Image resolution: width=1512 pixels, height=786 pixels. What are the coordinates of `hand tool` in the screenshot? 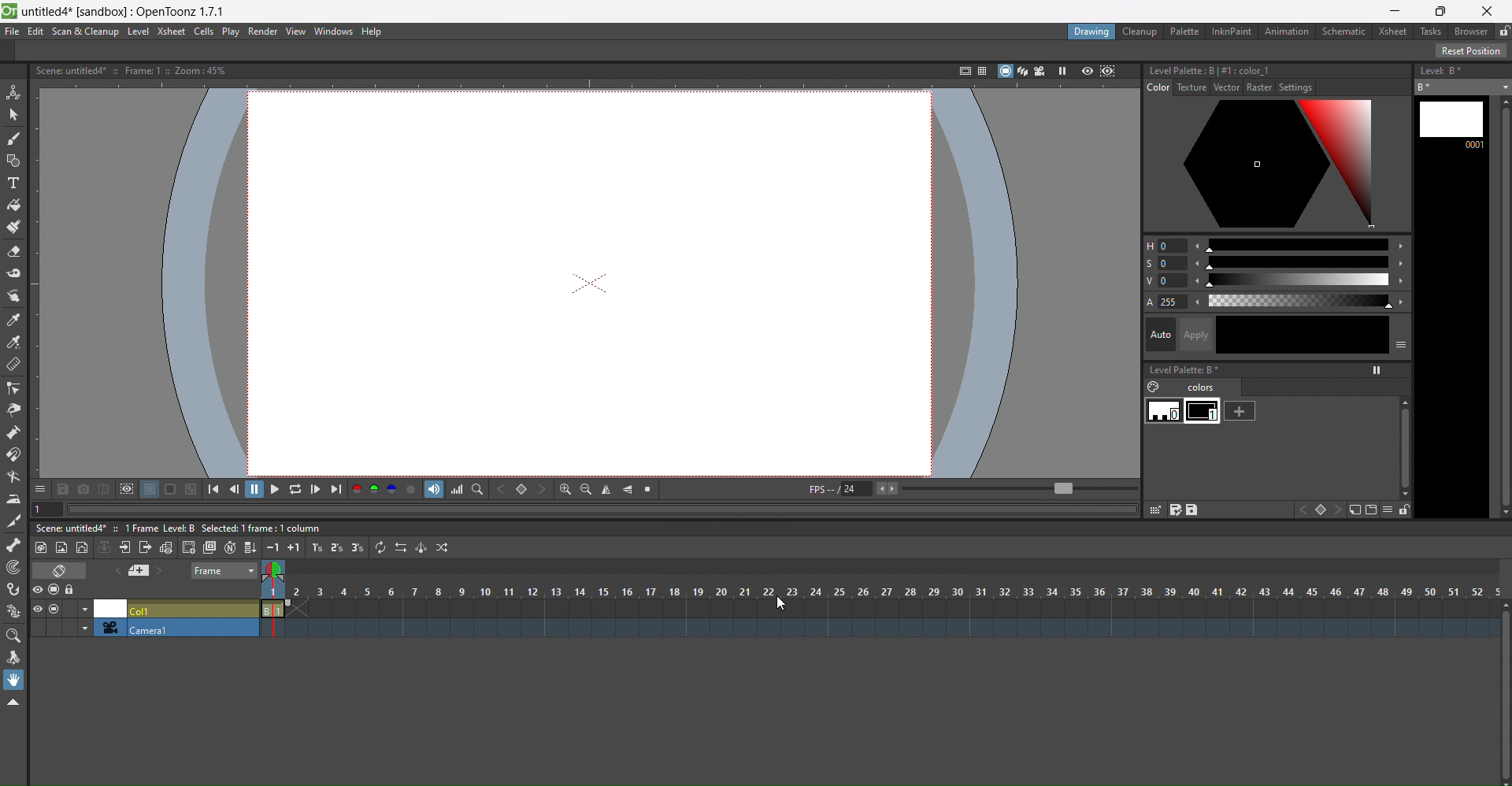 It's located at (14, 680).